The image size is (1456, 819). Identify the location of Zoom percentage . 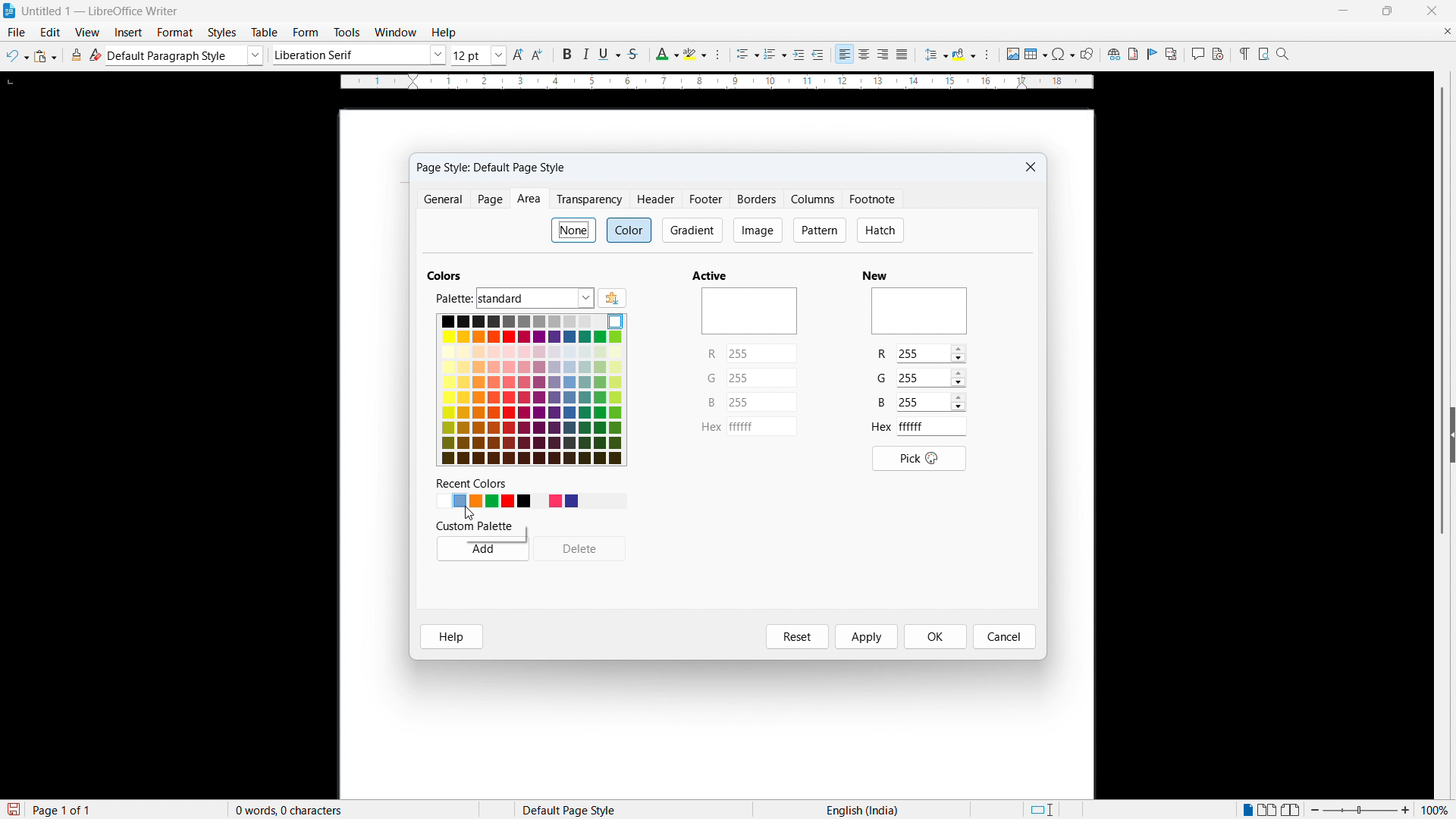
(1437, 809).